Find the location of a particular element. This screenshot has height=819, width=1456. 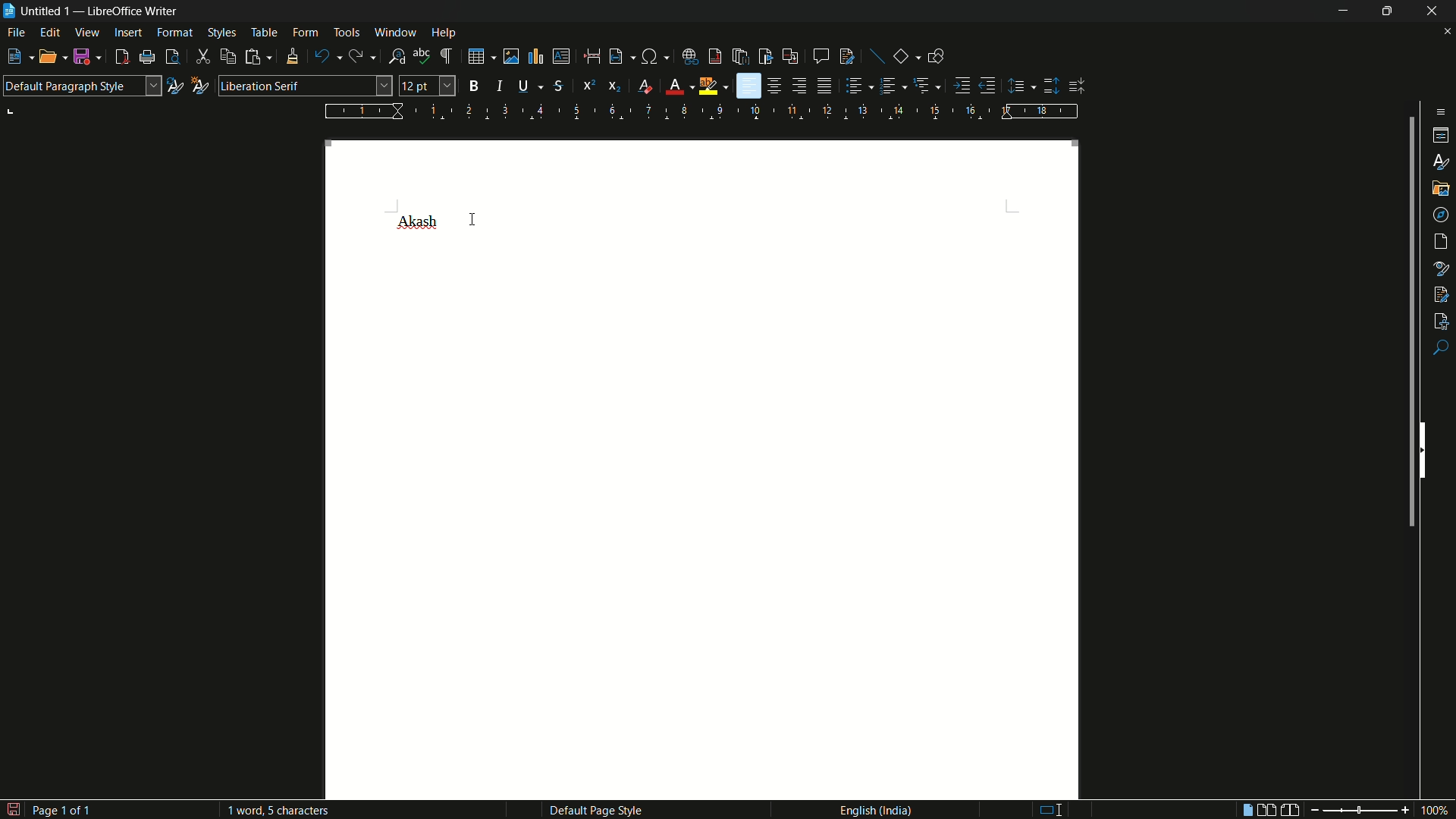

check spelling is located at coordinates (422, 56).